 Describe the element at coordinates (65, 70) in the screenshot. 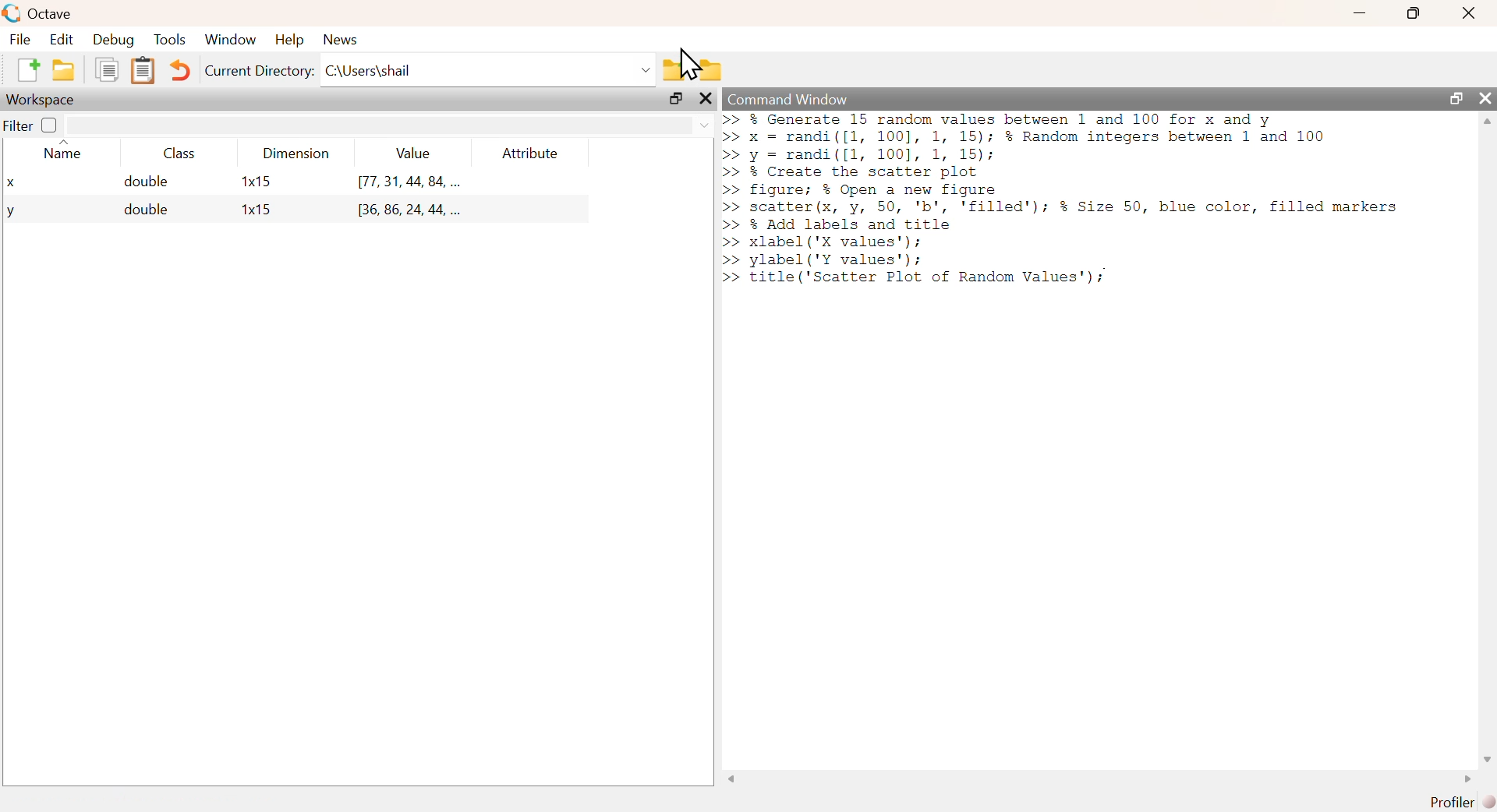

I see `New folder` at that location.